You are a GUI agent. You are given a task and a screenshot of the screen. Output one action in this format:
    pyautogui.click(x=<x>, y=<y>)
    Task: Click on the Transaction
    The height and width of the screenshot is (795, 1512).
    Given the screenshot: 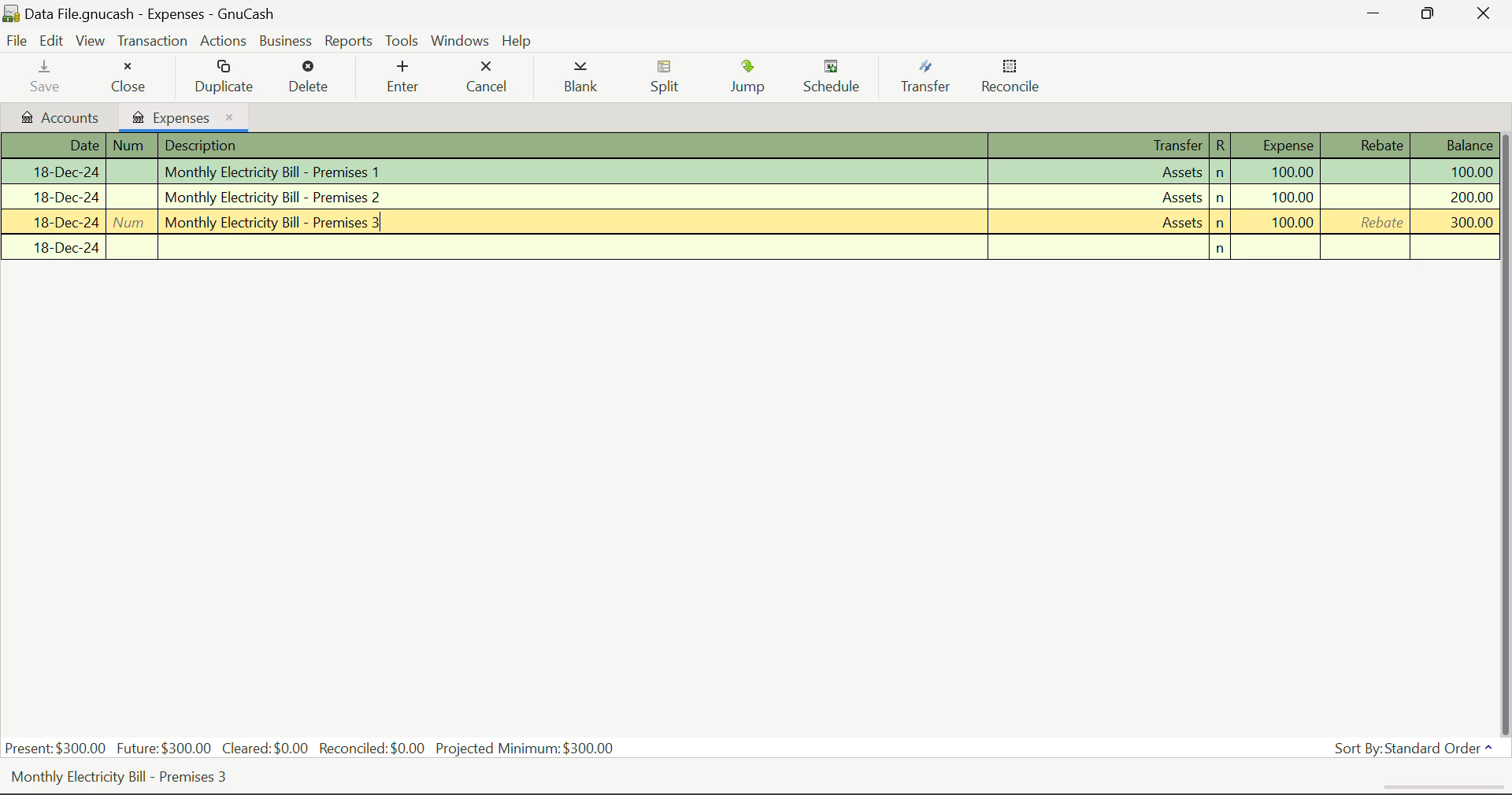 What is the action you would take?
    pyautogui.click(x=152, y=42)
    